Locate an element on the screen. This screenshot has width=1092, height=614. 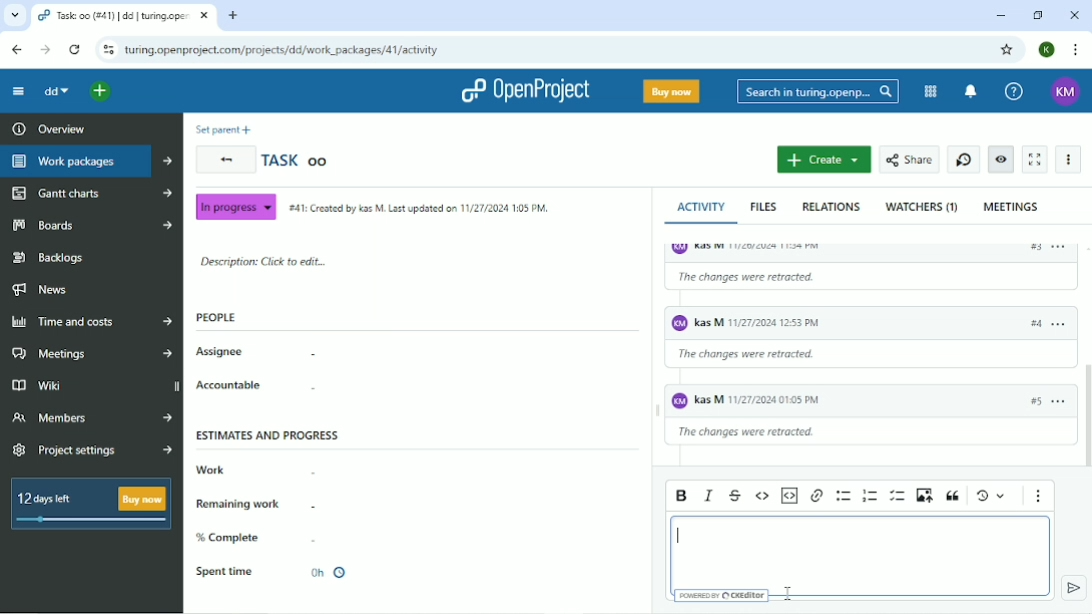
Gantt charts is located at coordinates (90, 193).